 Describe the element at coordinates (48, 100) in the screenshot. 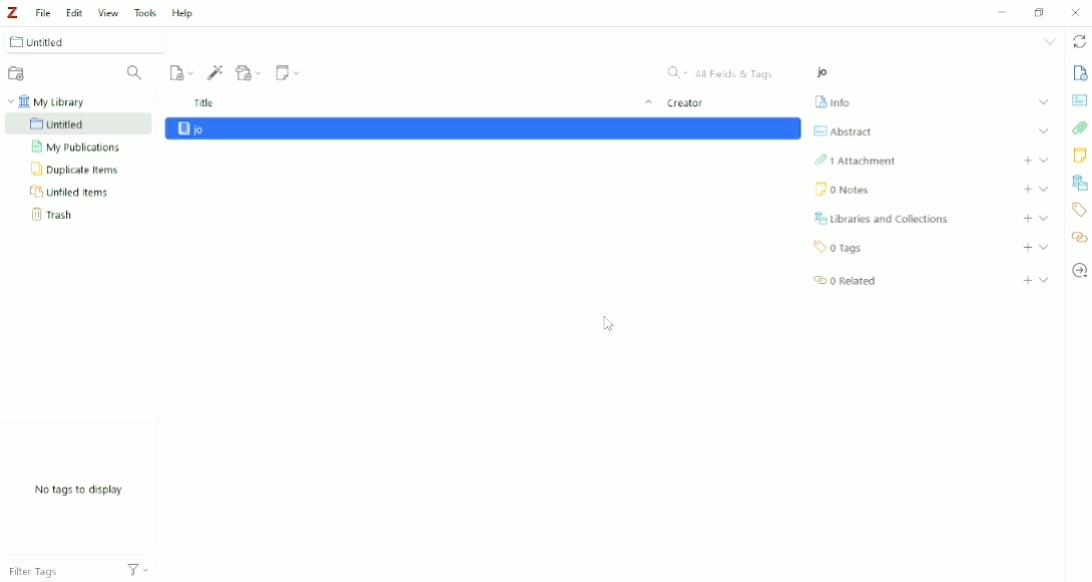

I see `My Library` at that location.